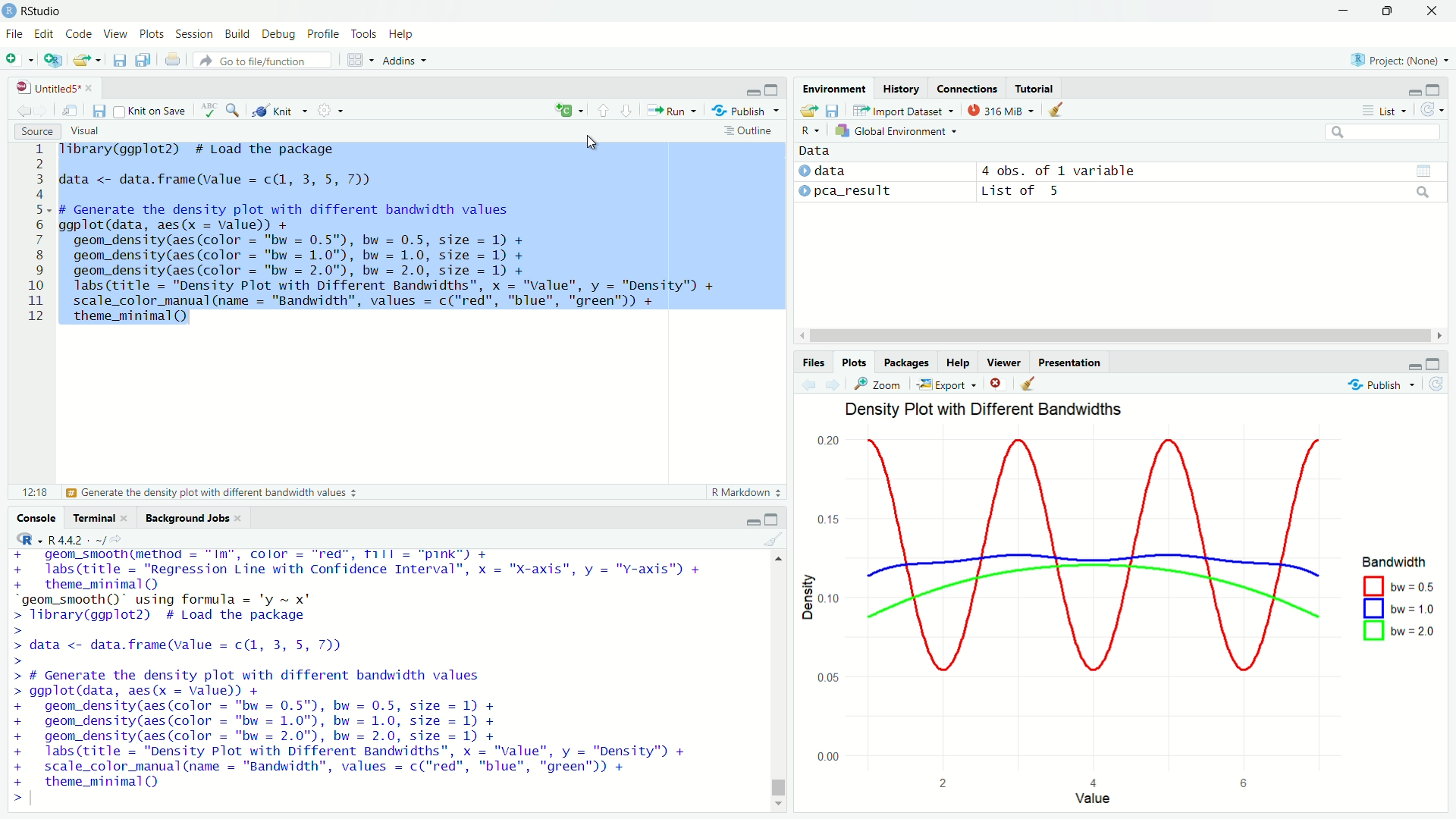 Image resolution: width=1456 pixels, height=819 pixels. What do you see at coordinates (774, 539) in the screenshot?
I see `Clear console` at bounding box center [774, 539].